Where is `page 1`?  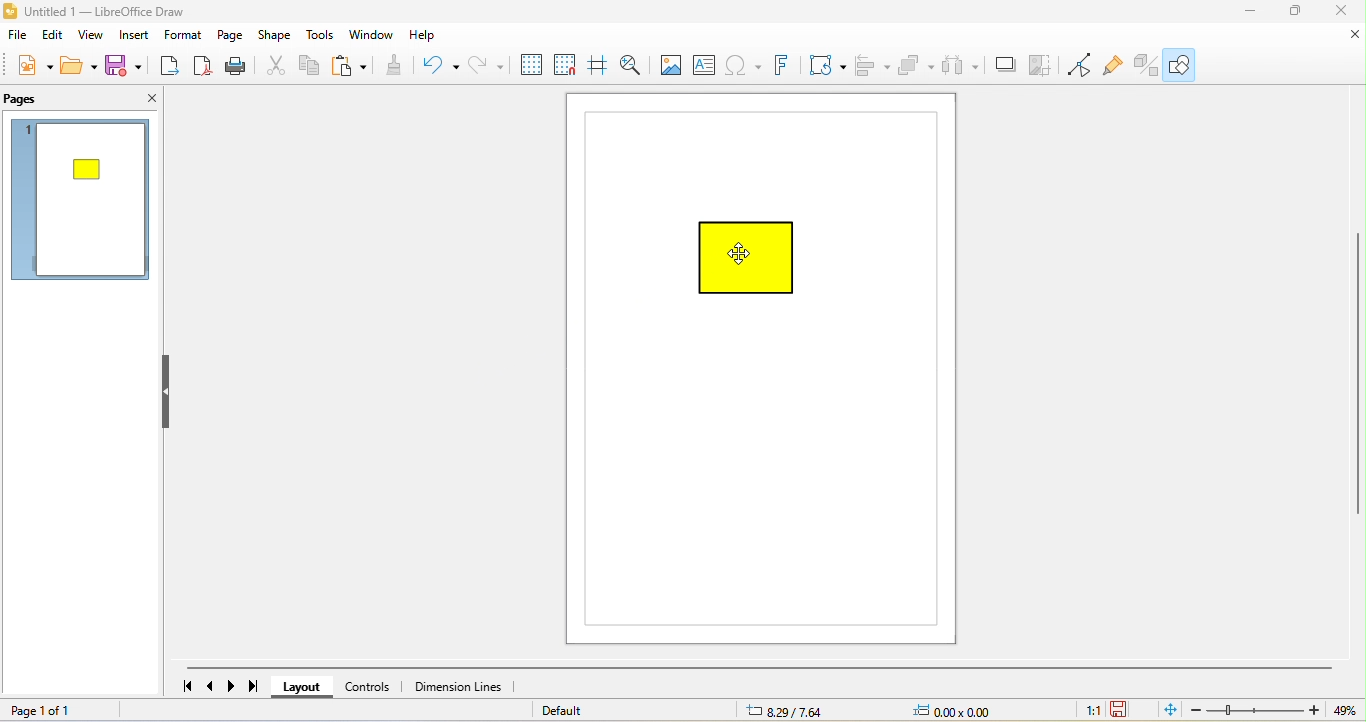
page 1 is located at coordinates (82, 204).